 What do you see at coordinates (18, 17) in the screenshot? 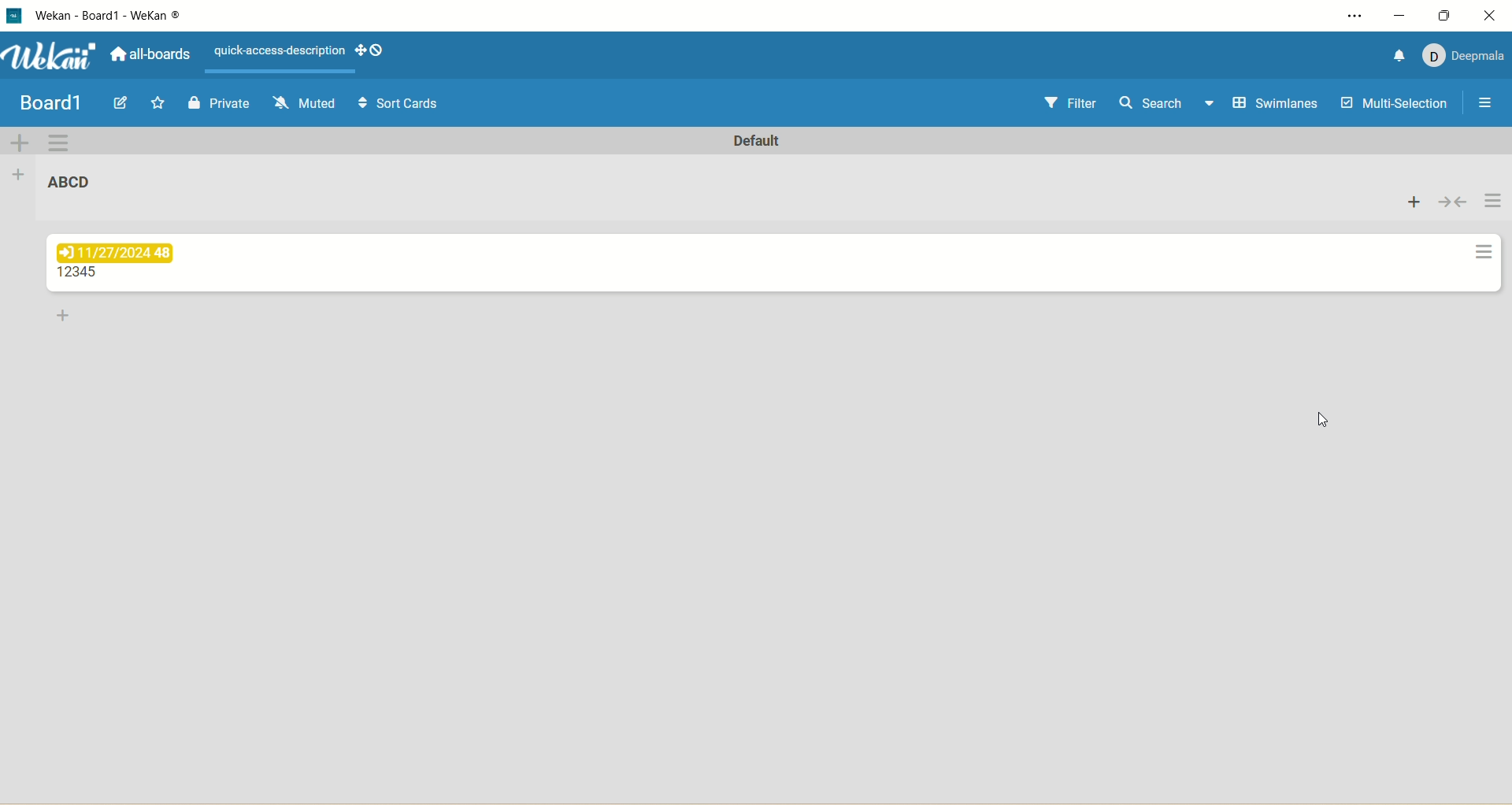
I see `logo` at bounding box center [18, 17].